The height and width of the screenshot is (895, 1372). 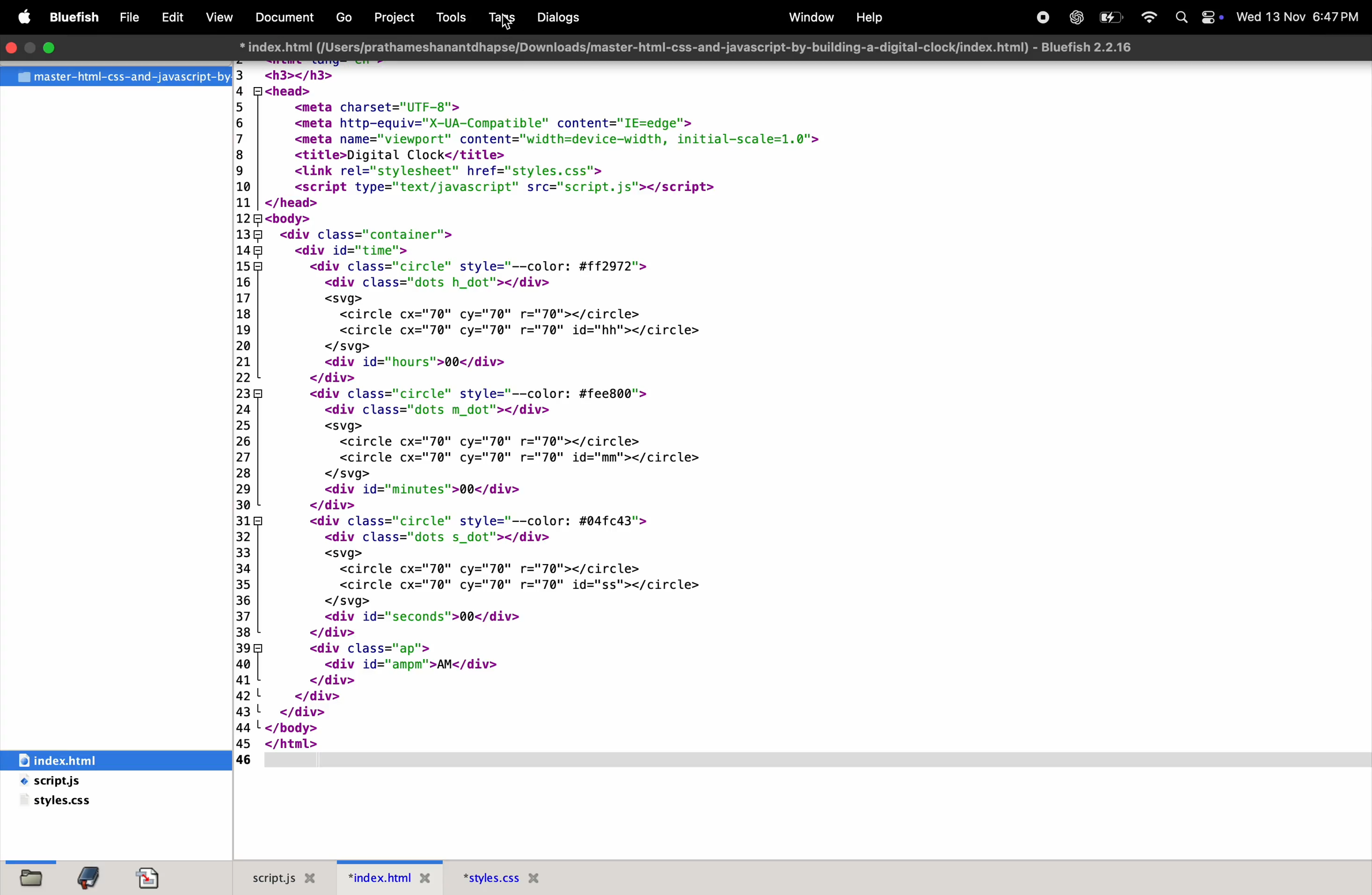 What do you see at coordinates (1153, 14) in the screenshot?
I see `wifi` at bounding box center [1153, 14].